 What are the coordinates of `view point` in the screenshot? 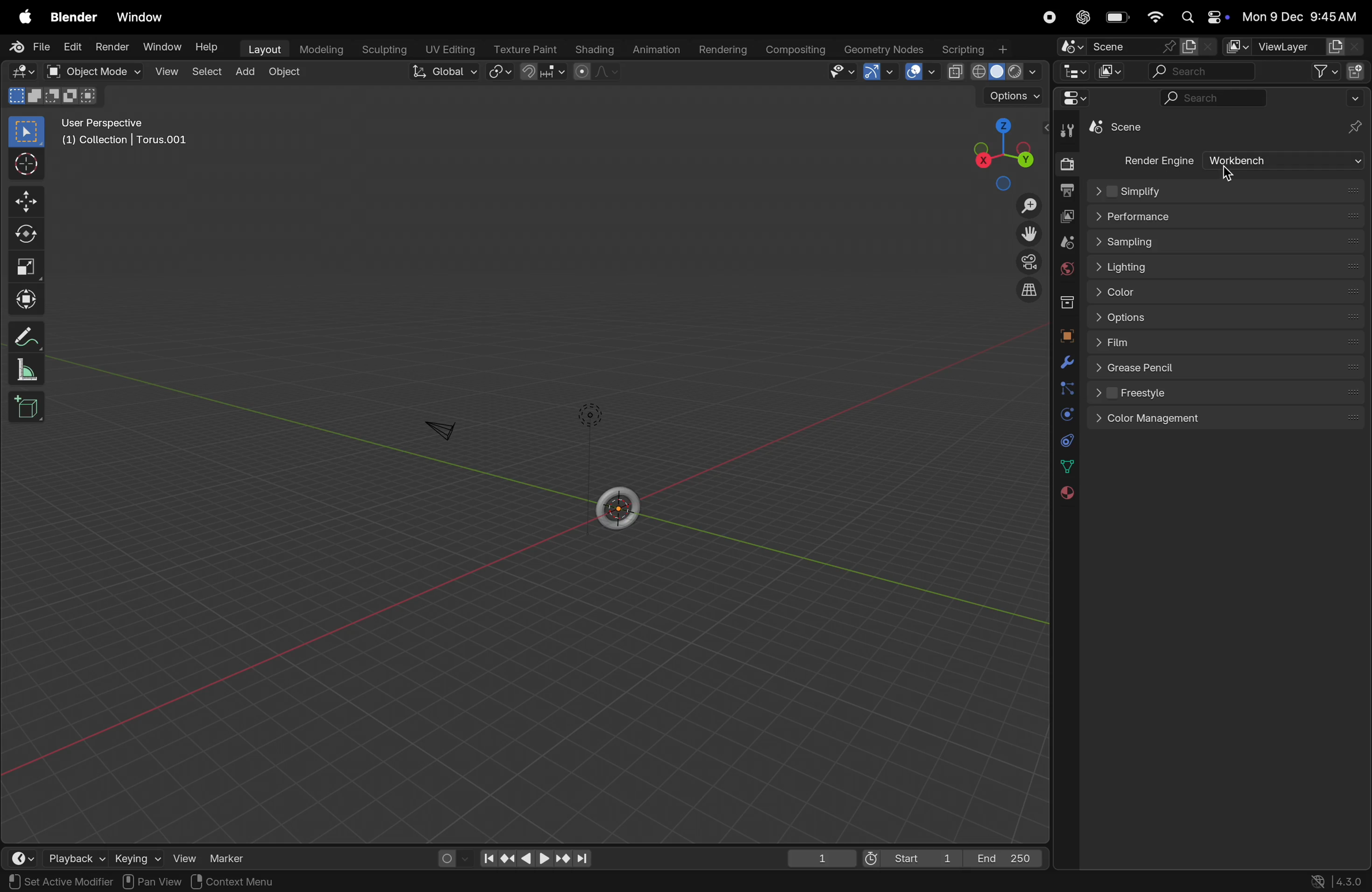 It's located at (1000, 148).